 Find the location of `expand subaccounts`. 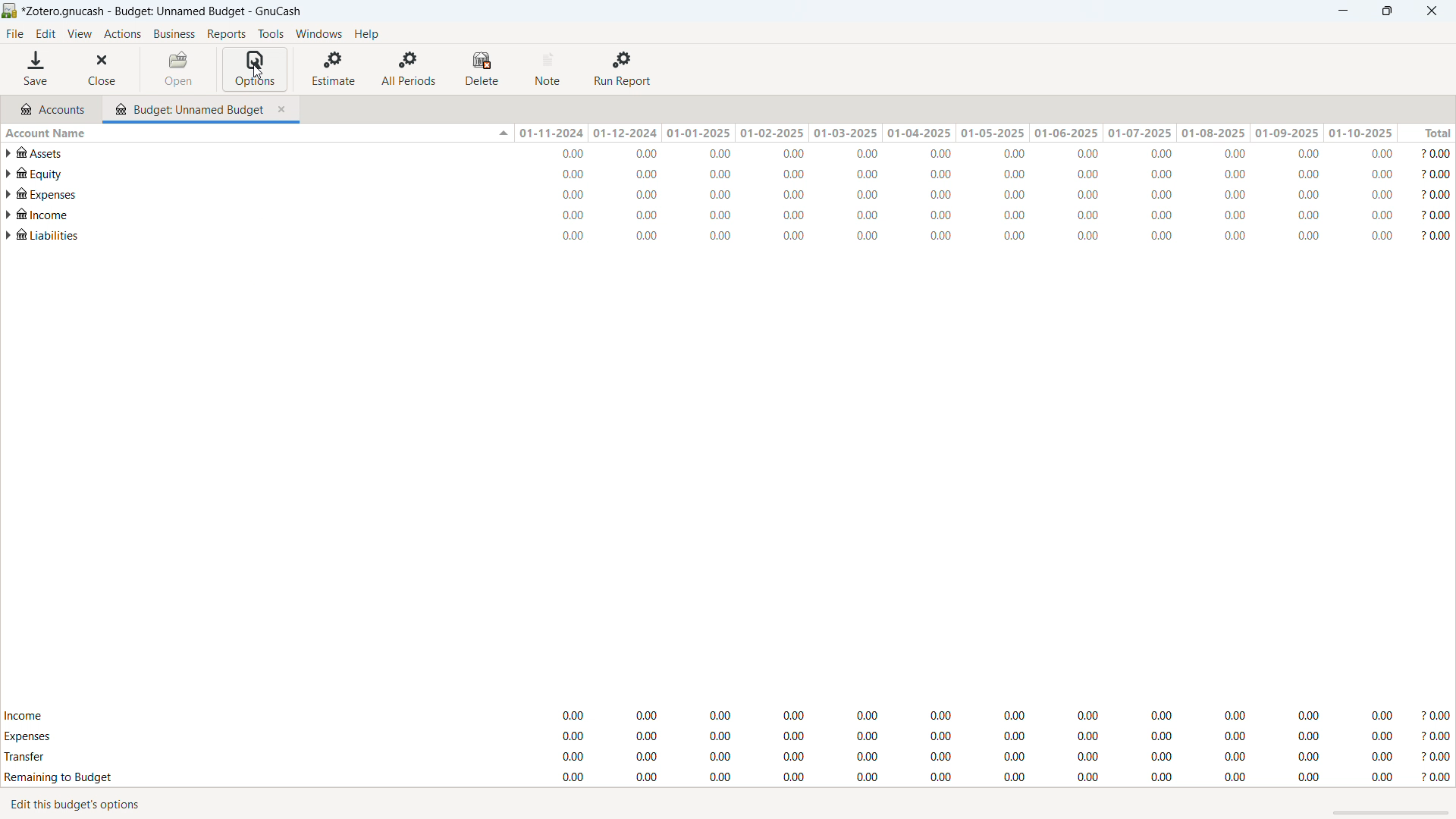

expand subaccounts is located at coordinates (9, 214).